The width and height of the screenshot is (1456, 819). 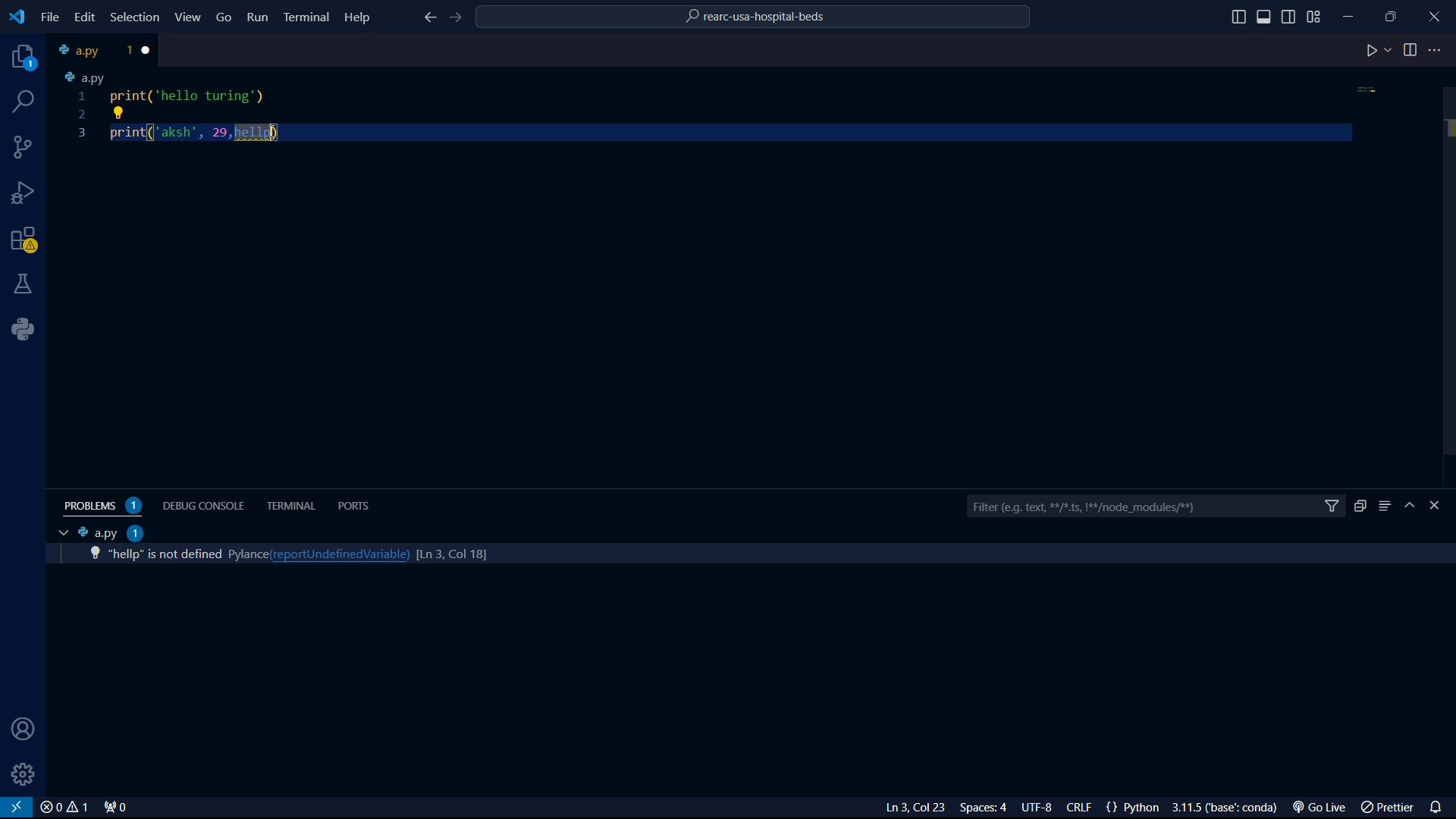 I want to click on toggle sidebar, so click(x=1238, y=17).